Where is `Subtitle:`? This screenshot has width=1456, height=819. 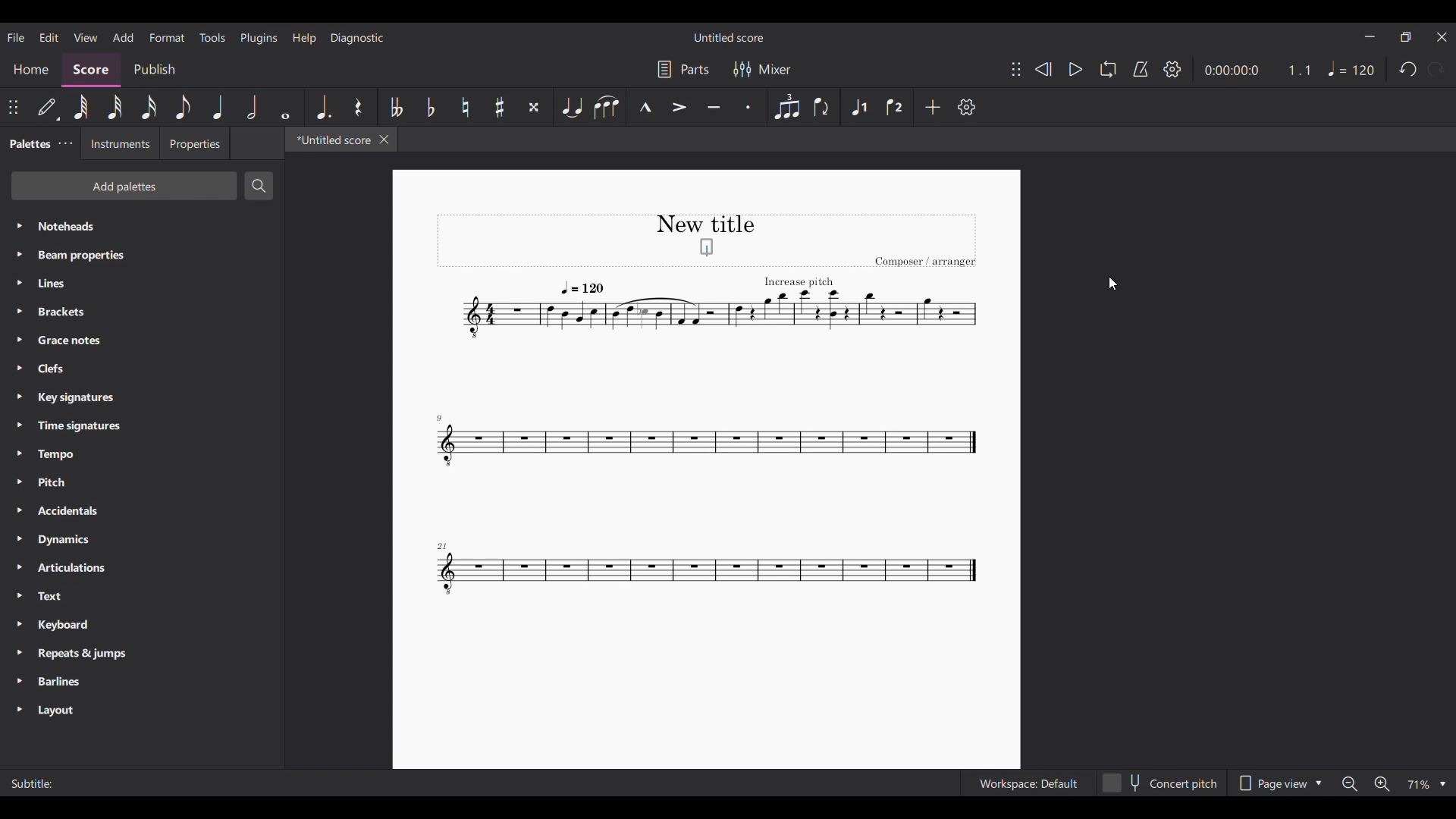 Subtitle: is located at coordinates (40, 783).